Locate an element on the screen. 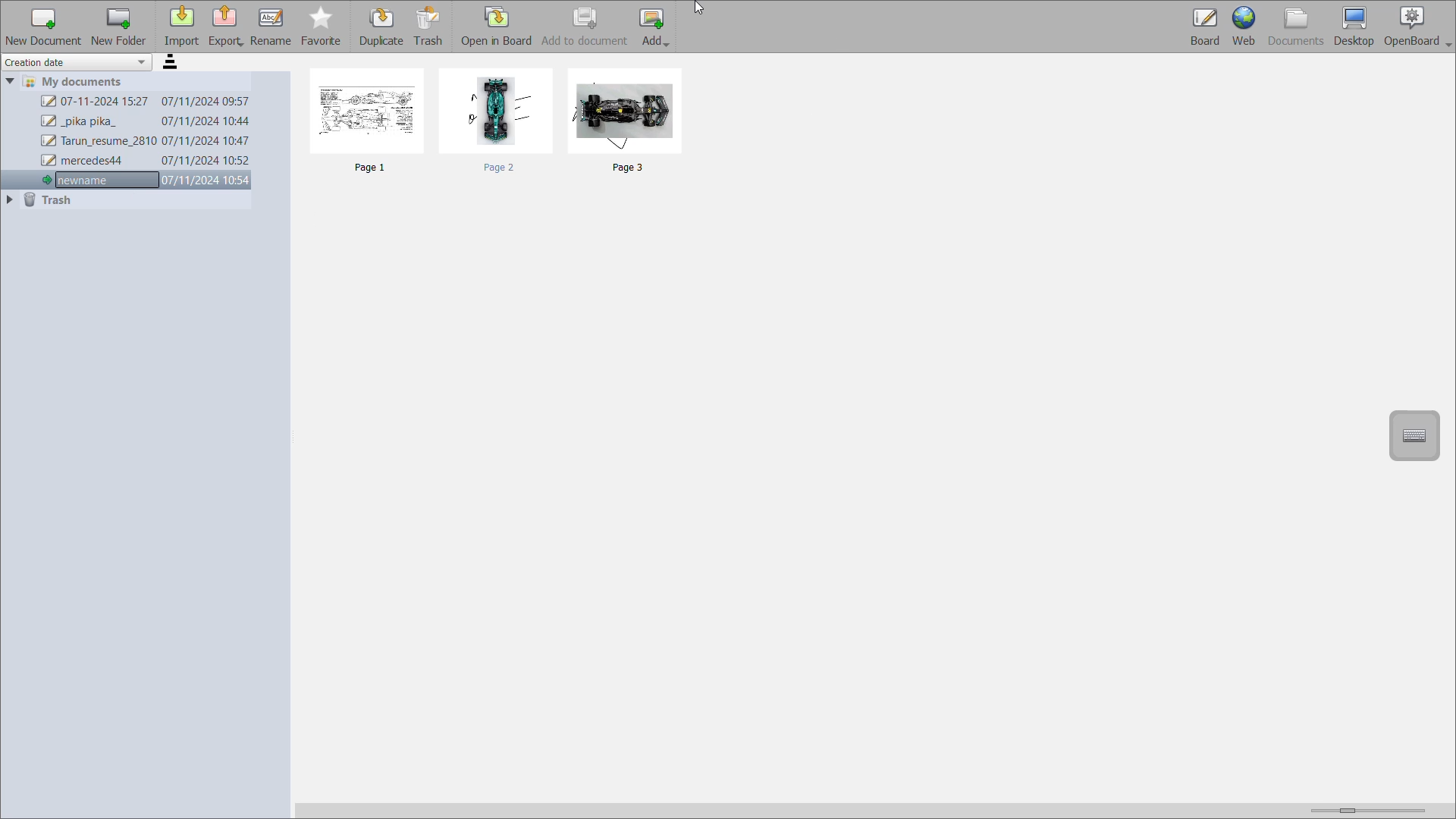 The image size is (1456, 819). web is located at coordinates (1244, 27).